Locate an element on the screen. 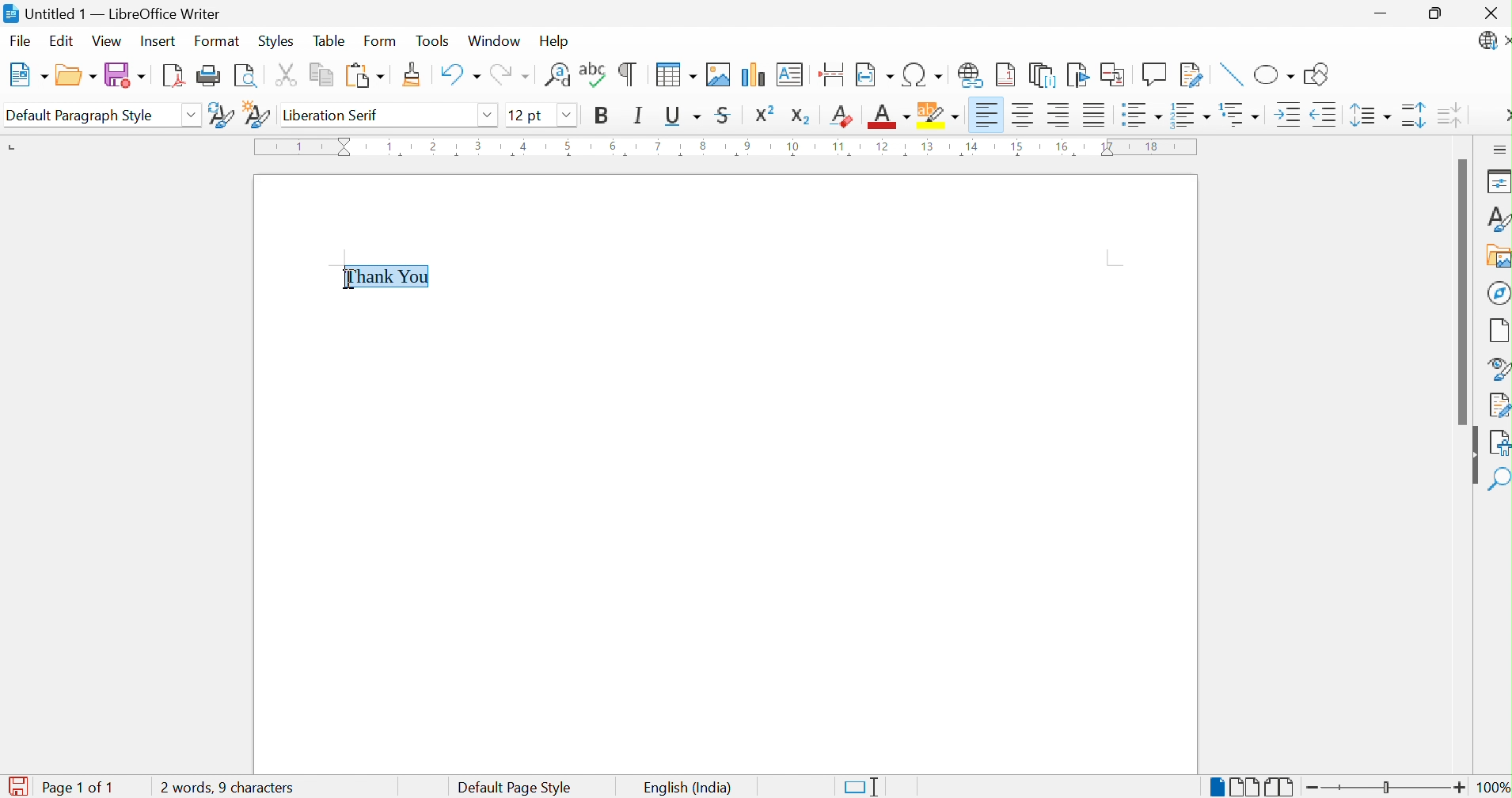  Styles is located at coordinates (275, 40).